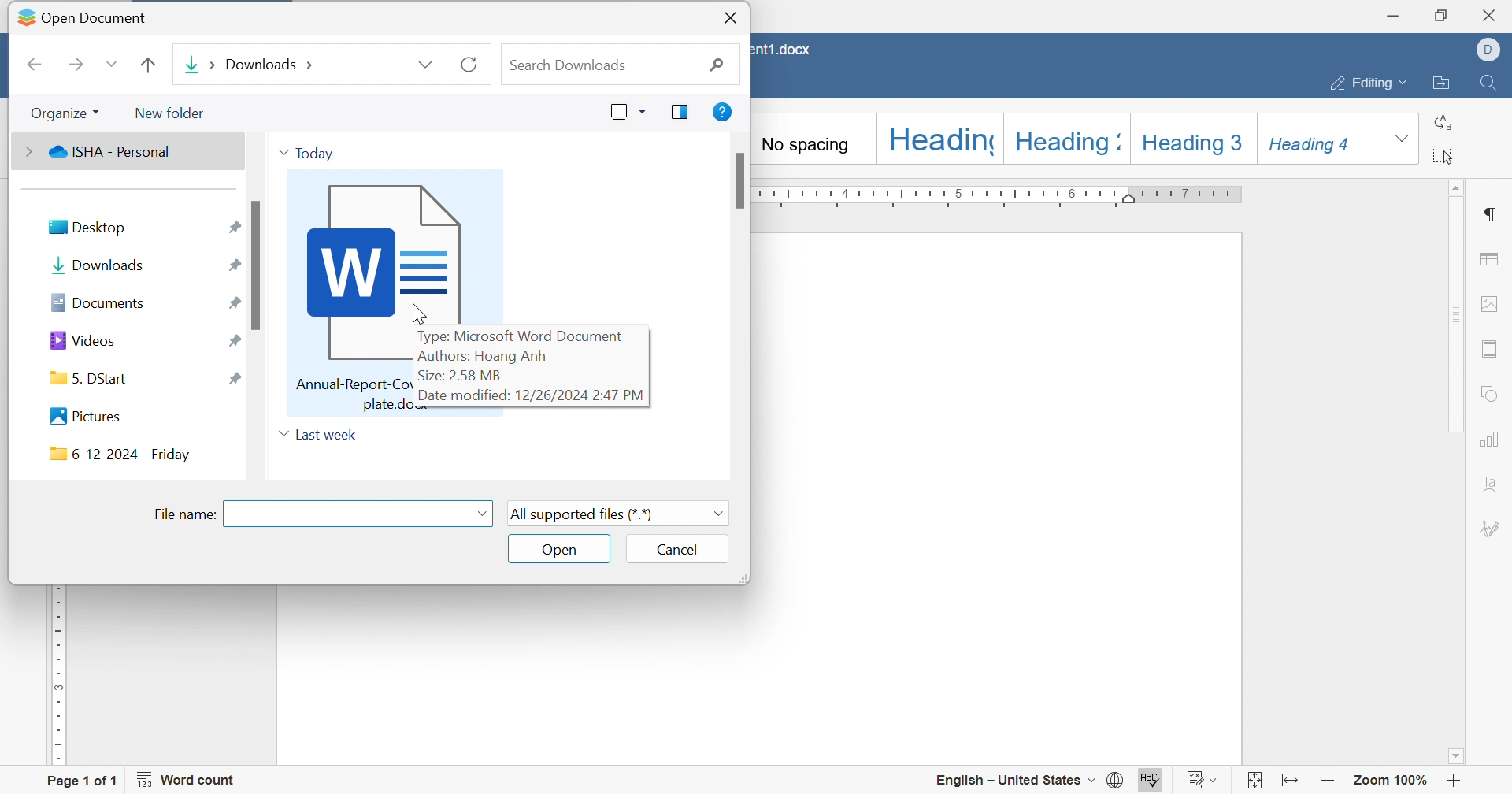 The height and width of the screenshot is (794, 1512). I want to click on documents, so click(104, 302).